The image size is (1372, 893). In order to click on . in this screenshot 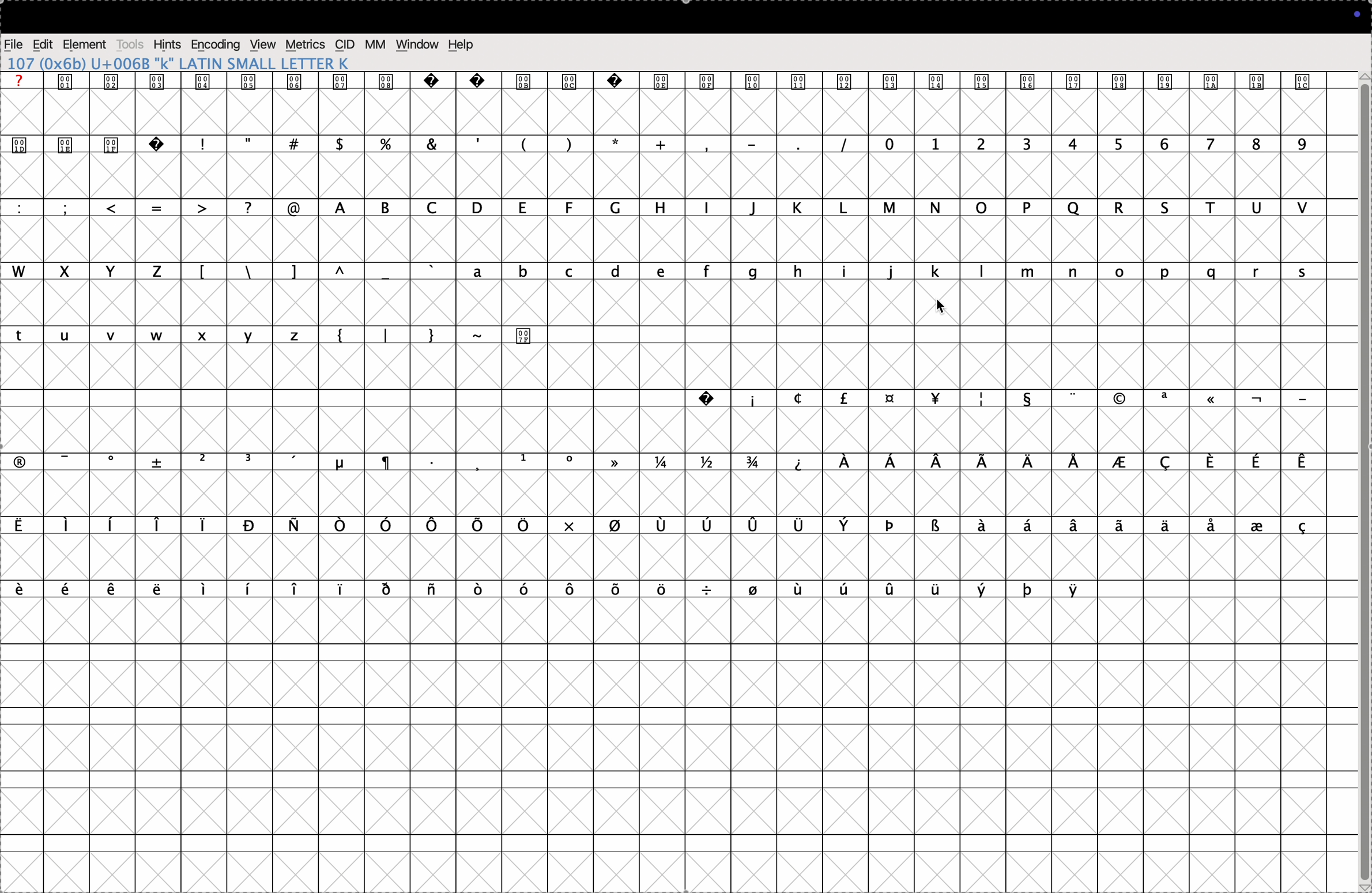, I will do `click(805, 145)`.